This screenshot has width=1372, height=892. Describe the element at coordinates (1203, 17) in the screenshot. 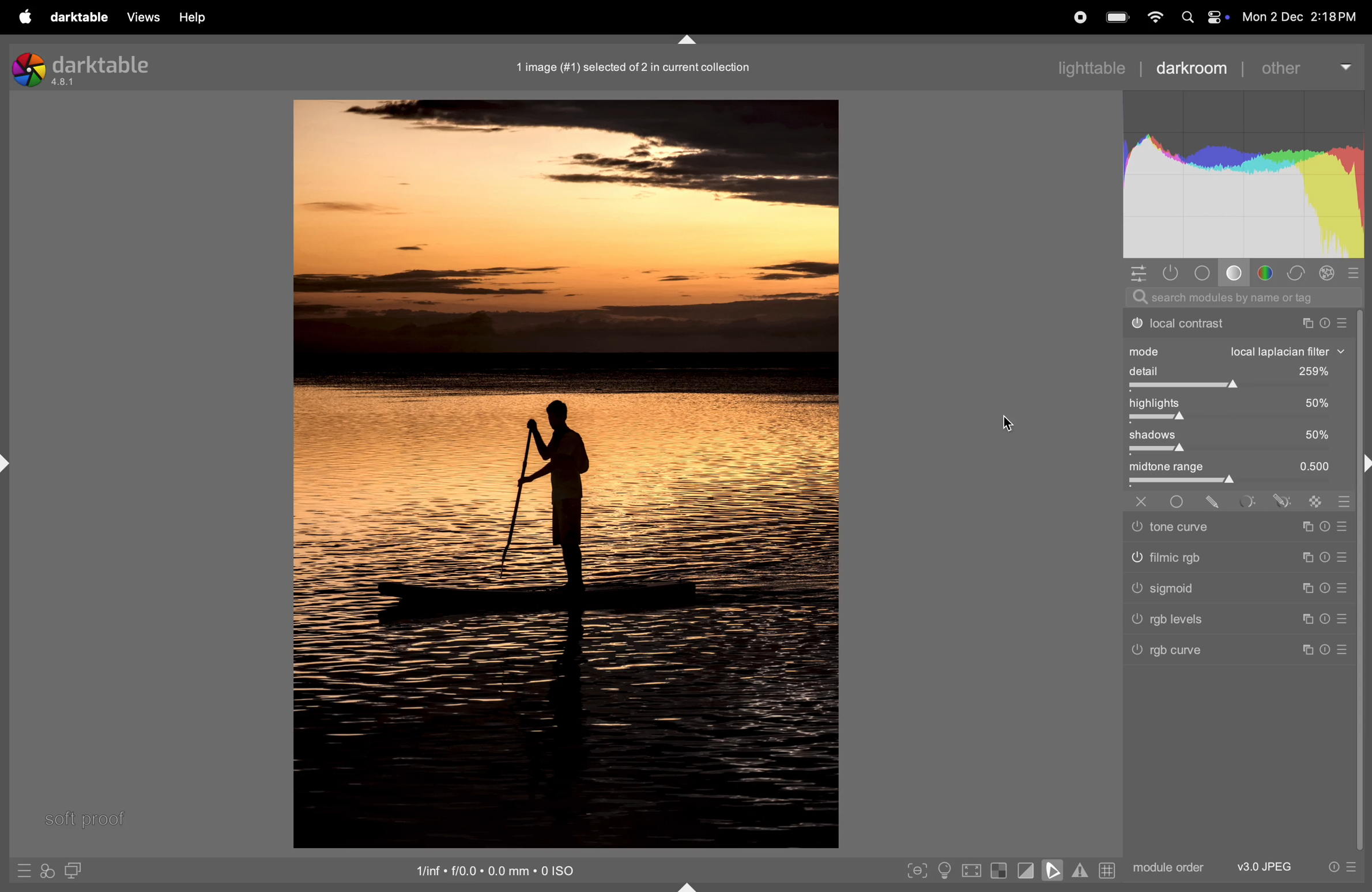

I see `apple widgets` at that location.